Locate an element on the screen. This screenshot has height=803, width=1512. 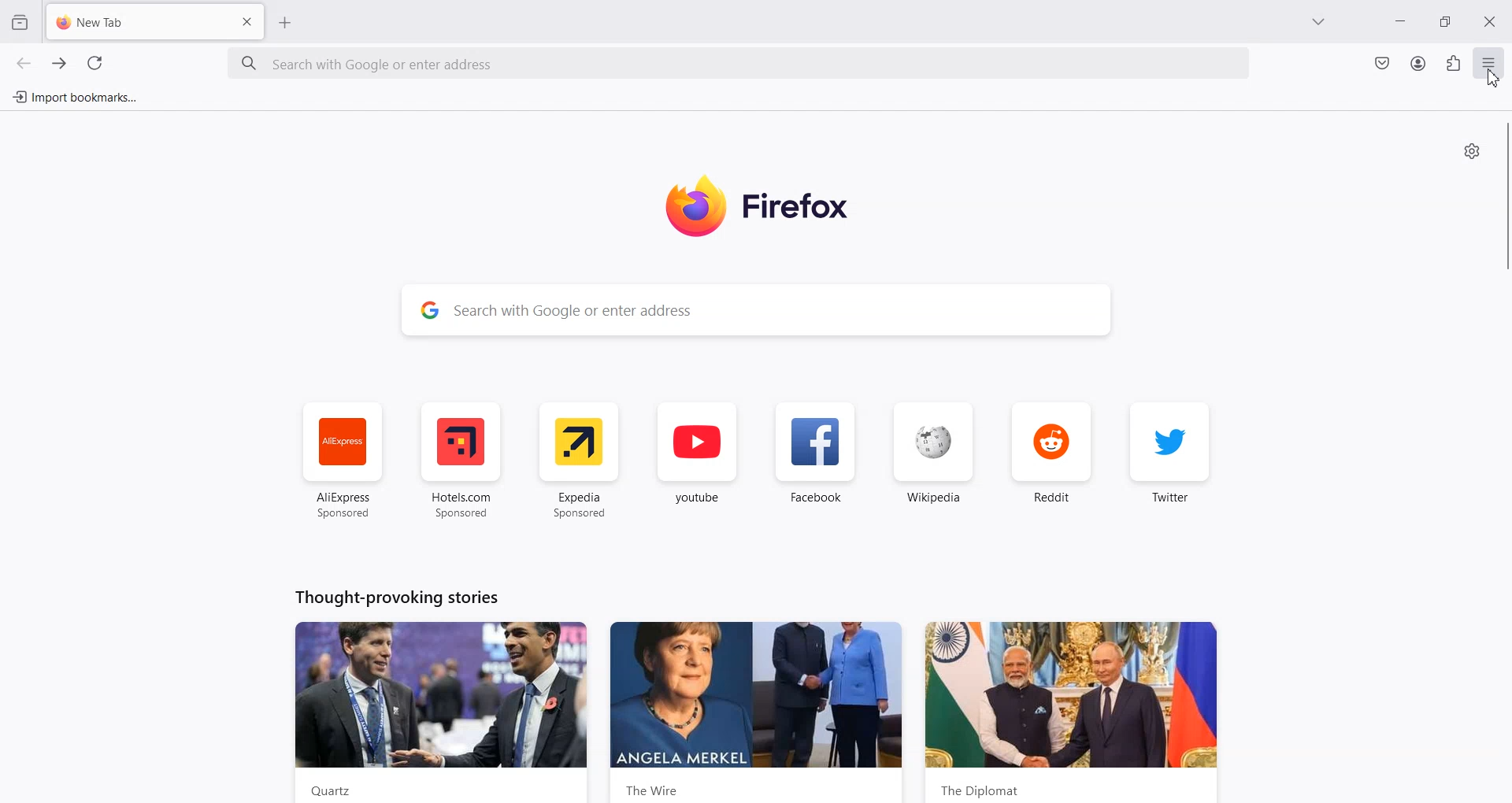
View recent Browsing is located at coordinates (20, 23).